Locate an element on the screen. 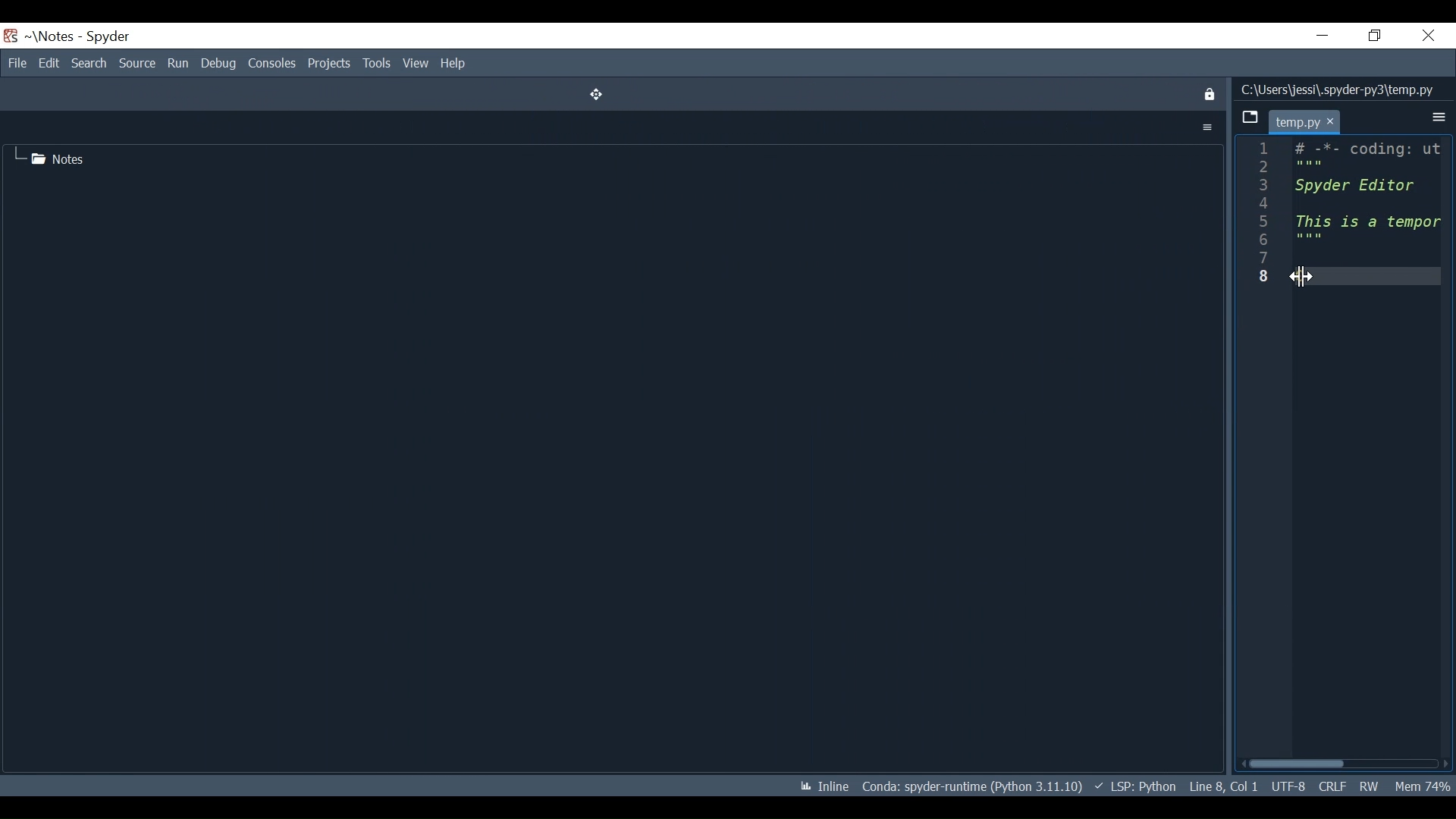 The image size is (1456, 819). Consoles is located at coordinates (272, 64).